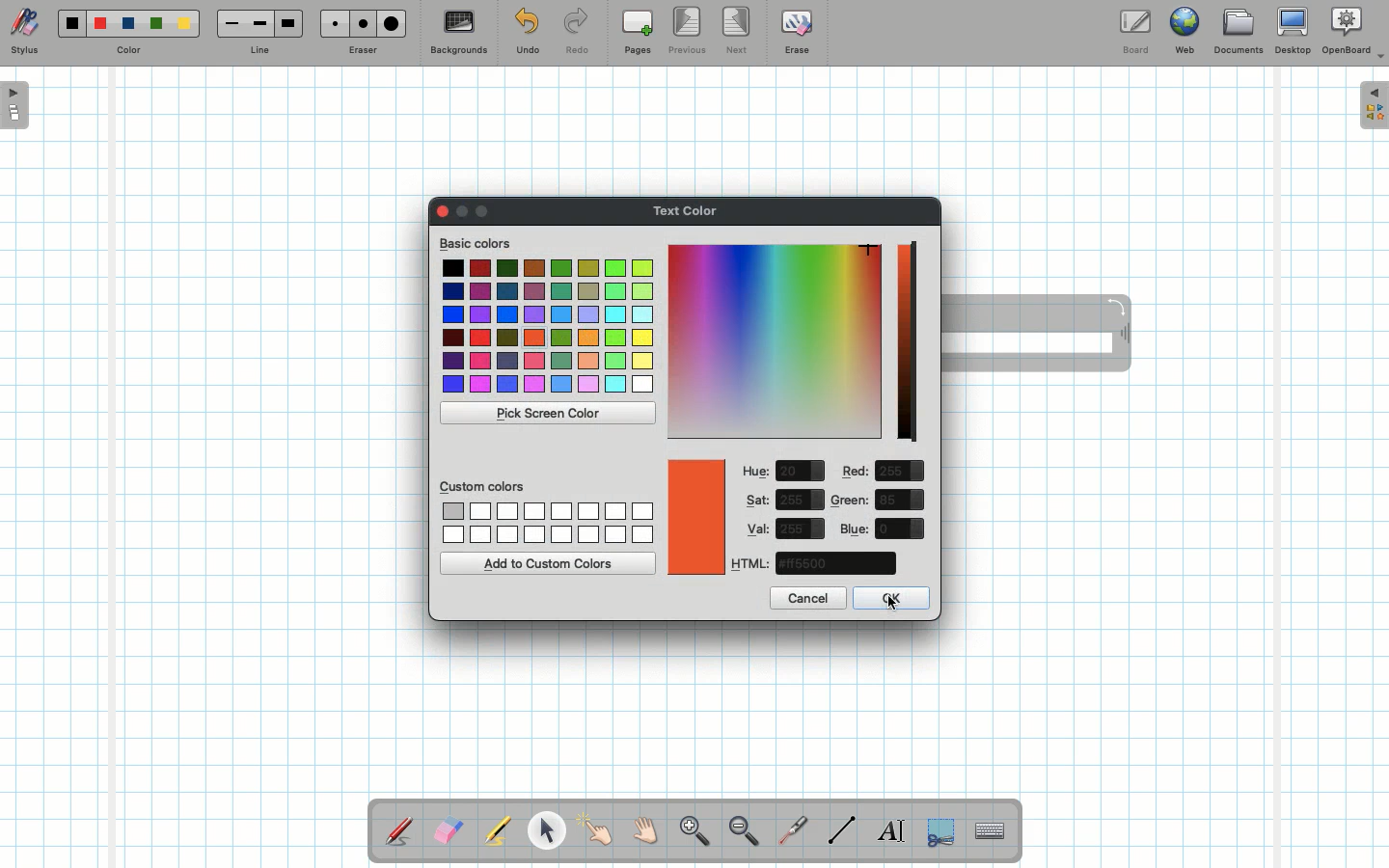  What do you see at coordinates (126, 51) in the screenshot?
I see `Color` at bounding box center [126, 51].